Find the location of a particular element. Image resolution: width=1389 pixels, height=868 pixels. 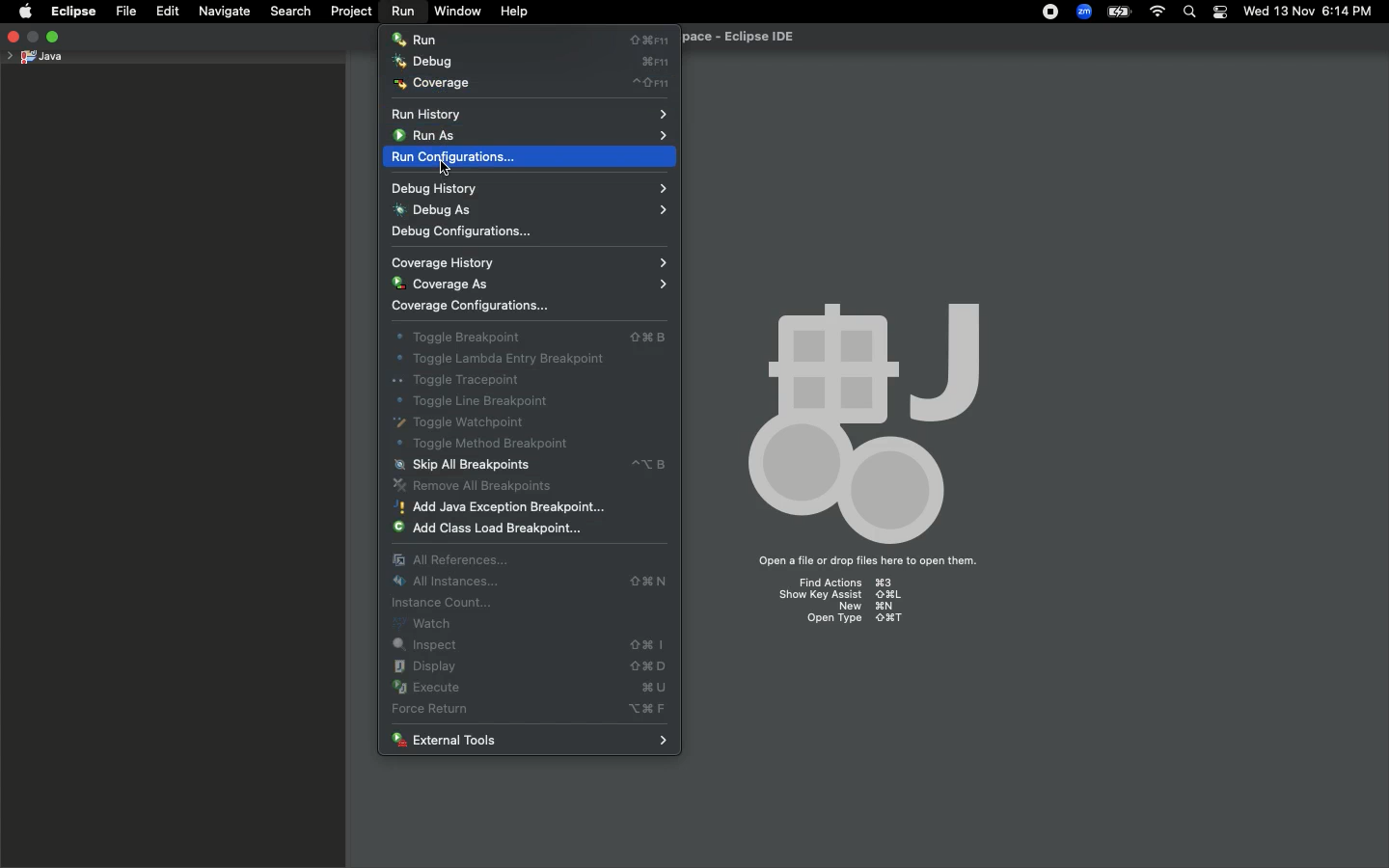

Recording is located at coordinates (1049, 12).